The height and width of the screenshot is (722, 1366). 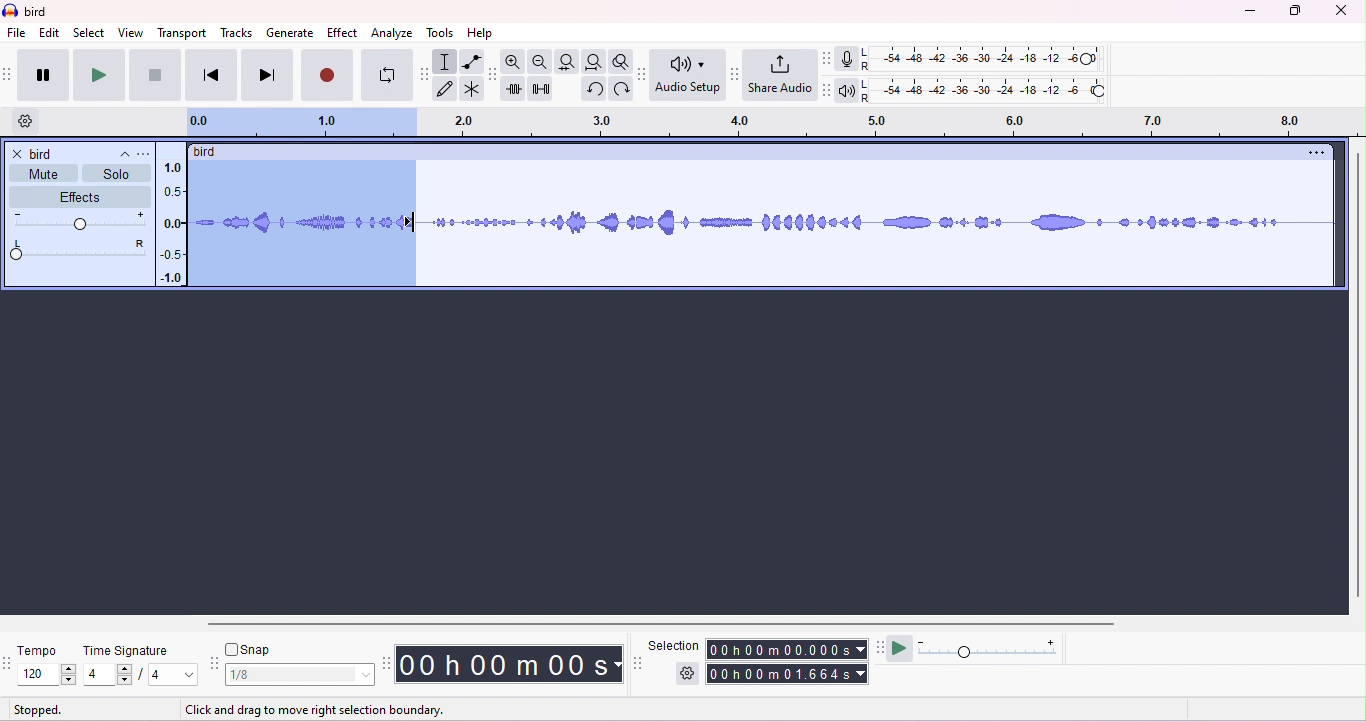 I want to click on pause, so click(x=44, y=75).